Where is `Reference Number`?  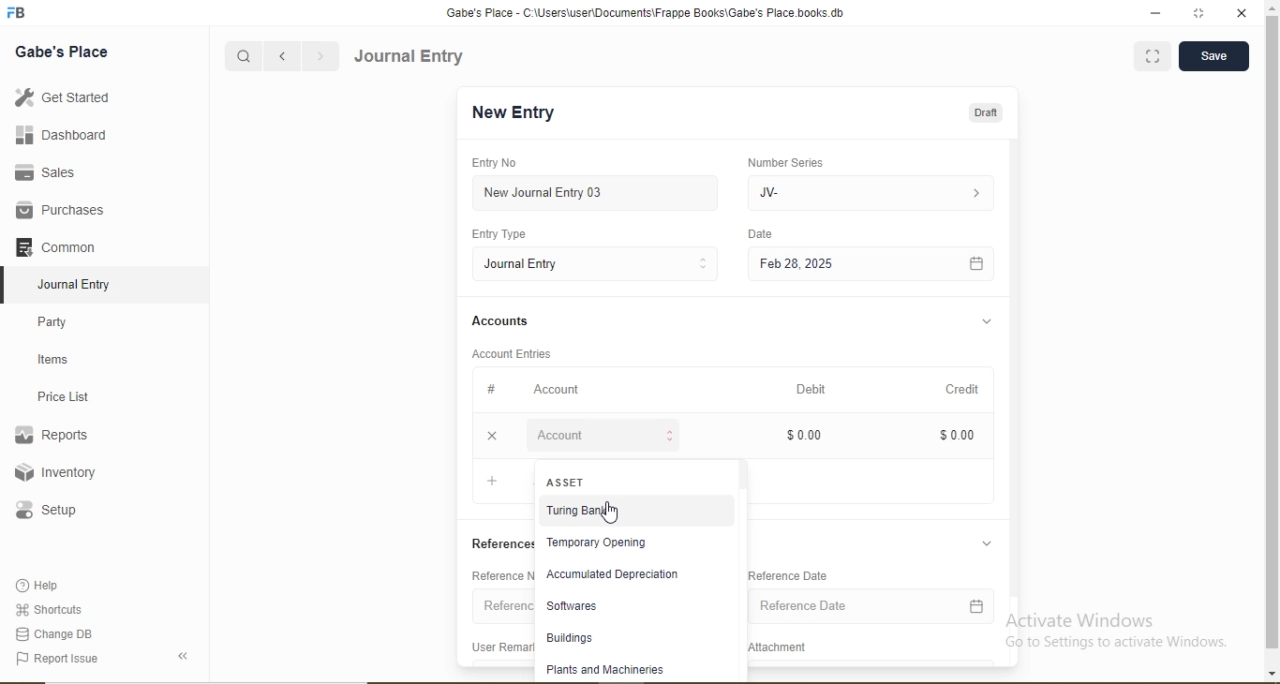
Reference Number is located at coordinates (504, 606).